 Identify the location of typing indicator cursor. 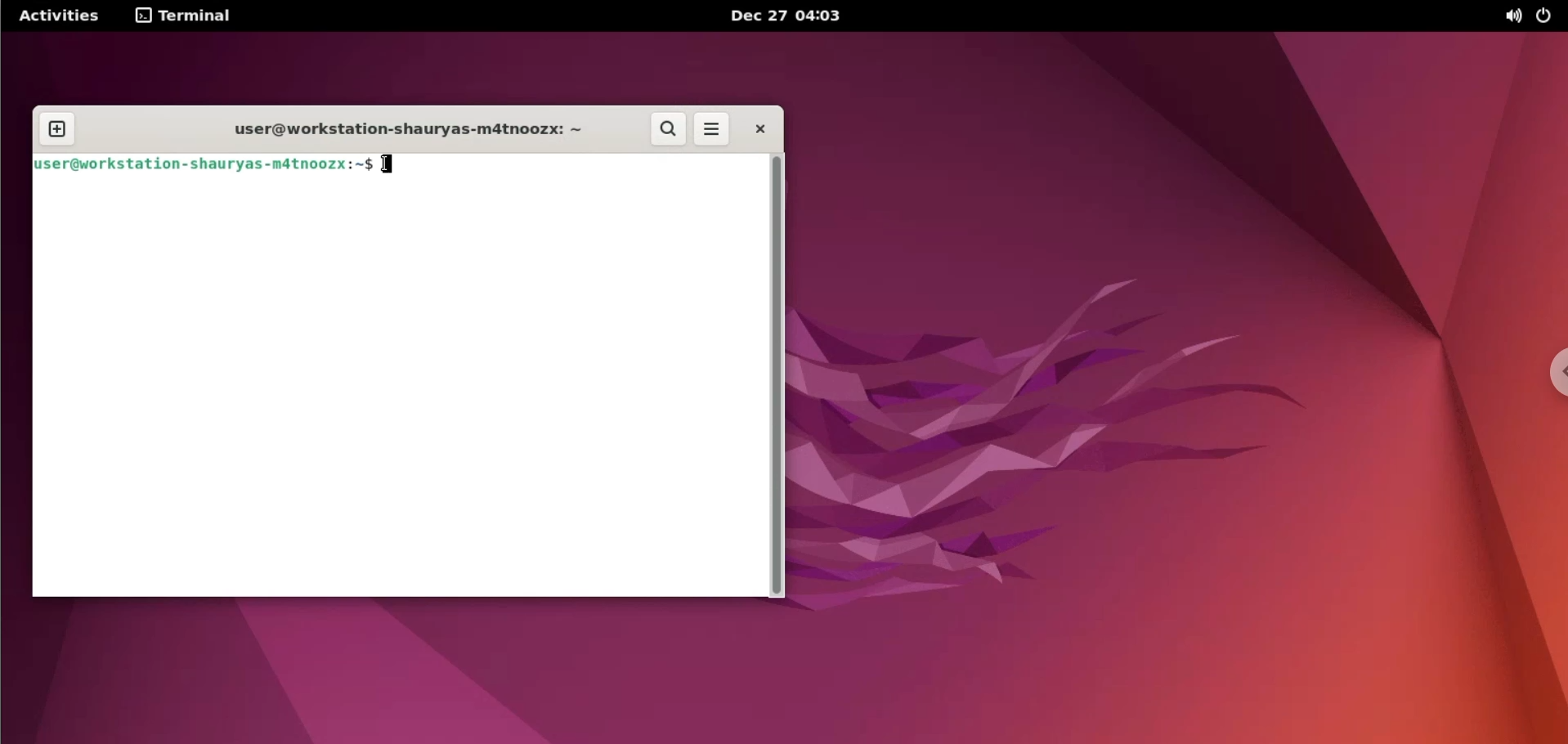
(388, 164).